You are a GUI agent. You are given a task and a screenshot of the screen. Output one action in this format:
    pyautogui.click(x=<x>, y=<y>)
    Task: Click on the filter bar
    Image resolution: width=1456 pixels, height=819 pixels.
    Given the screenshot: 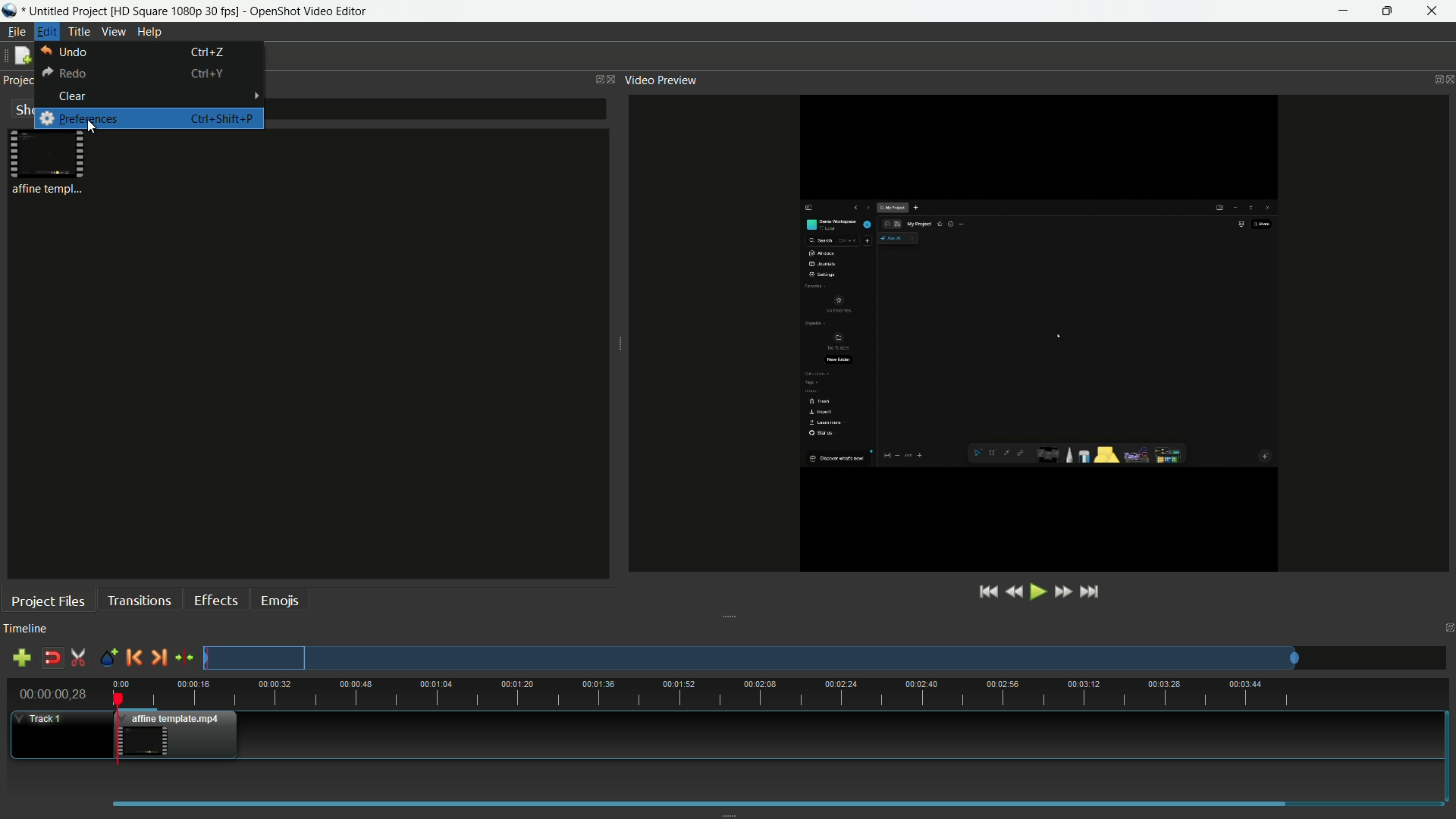 What is the action you would take?
    pyautogui.click(x=438, y=108)
    